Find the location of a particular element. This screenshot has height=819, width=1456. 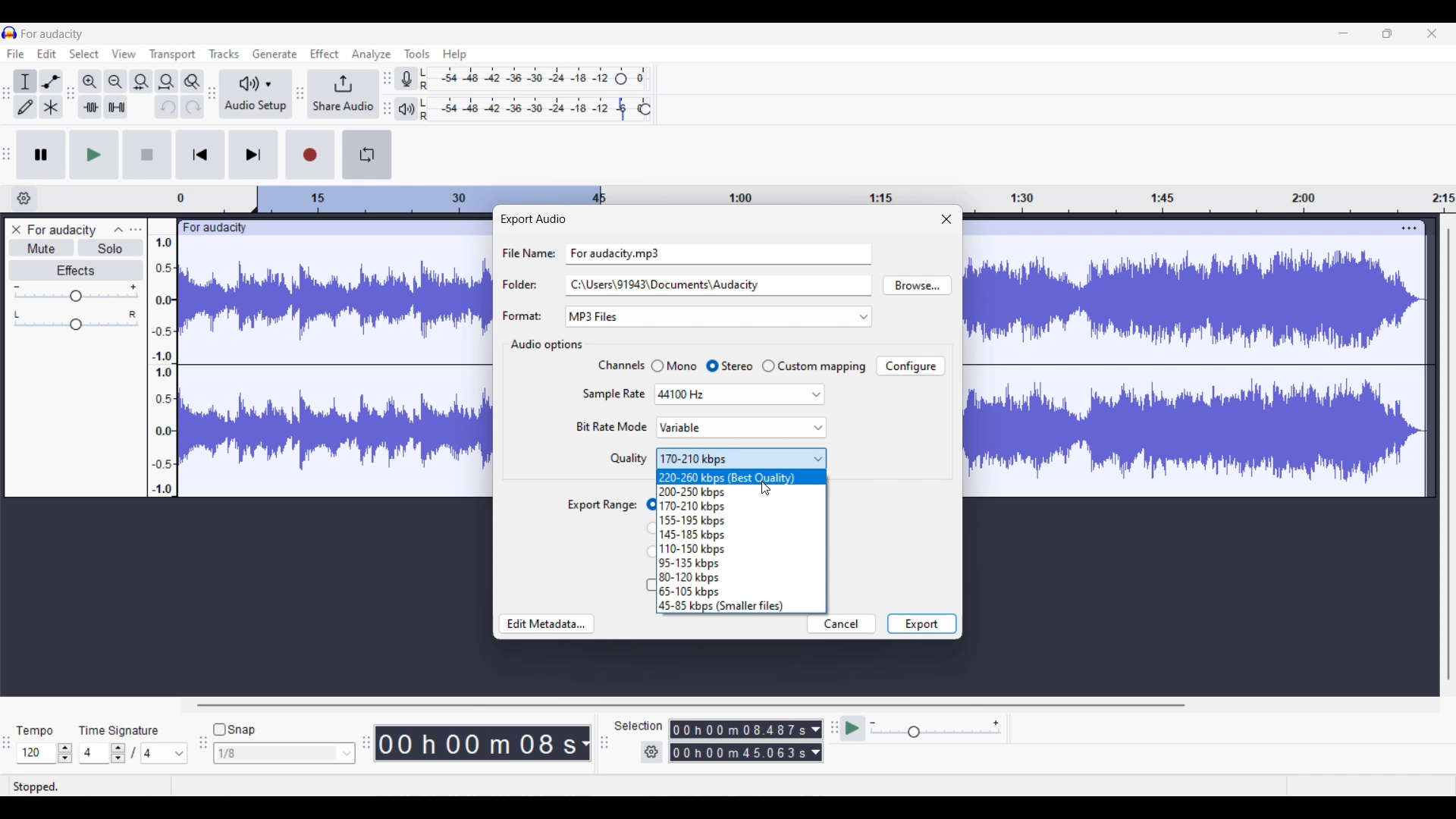

Configure is located at coordinates (910, 366).